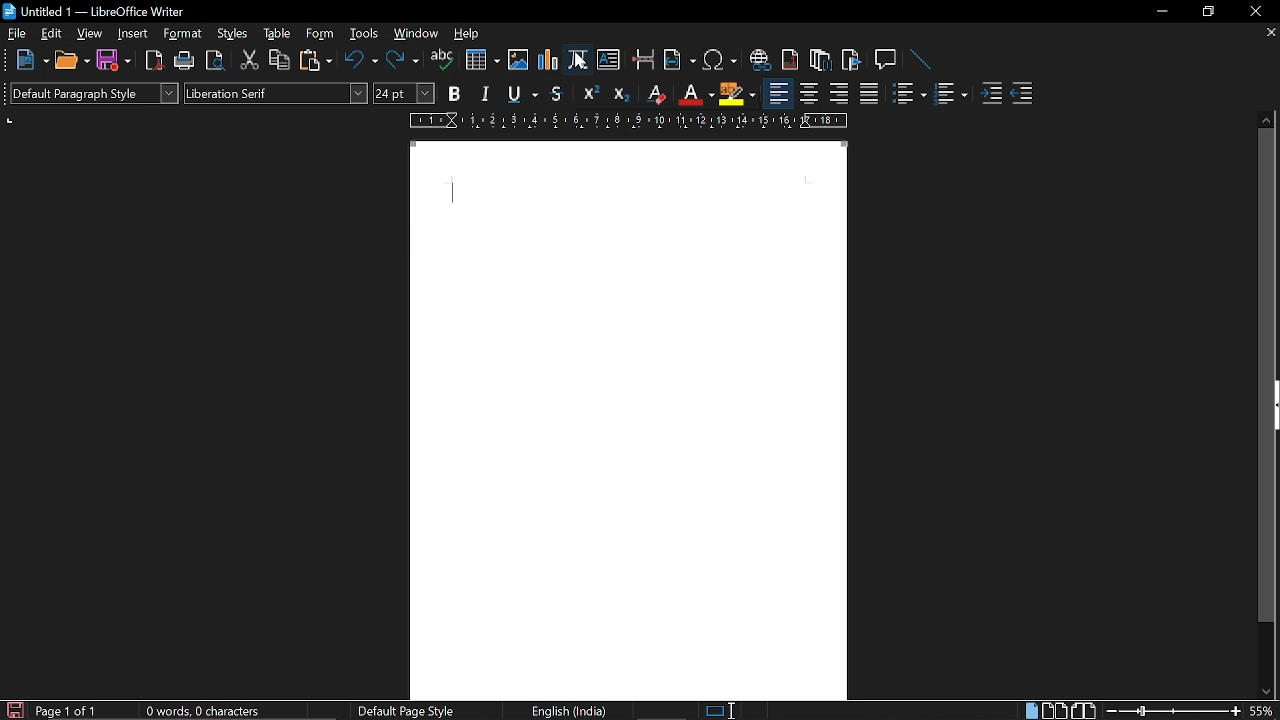 The image size is (1280, 720). Describe the element at coordinates (229, 35) in the screenshot. I see `styles` at that location.